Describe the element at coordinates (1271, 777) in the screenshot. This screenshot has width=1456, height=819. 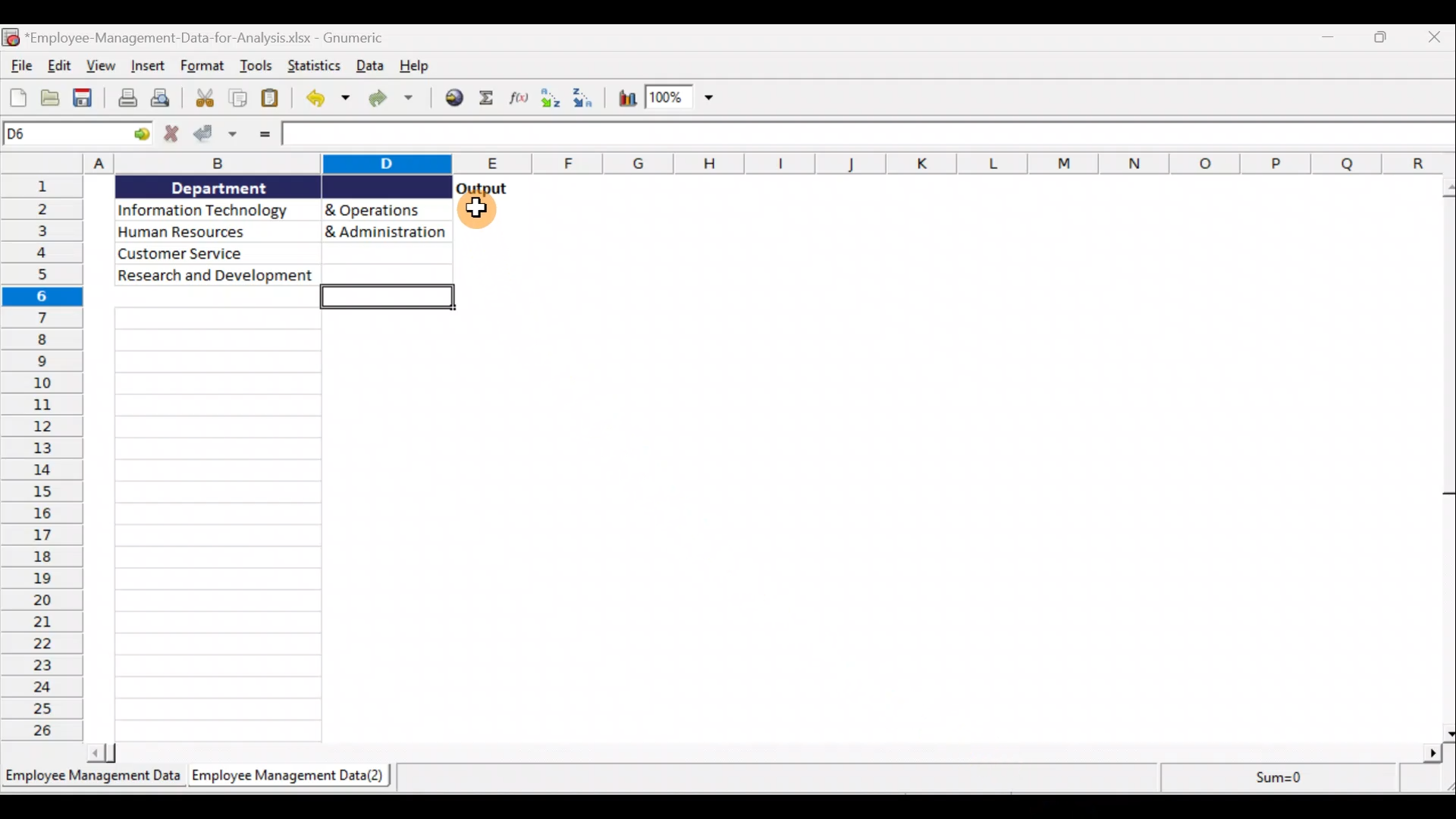
I see `Statistics` at that location.